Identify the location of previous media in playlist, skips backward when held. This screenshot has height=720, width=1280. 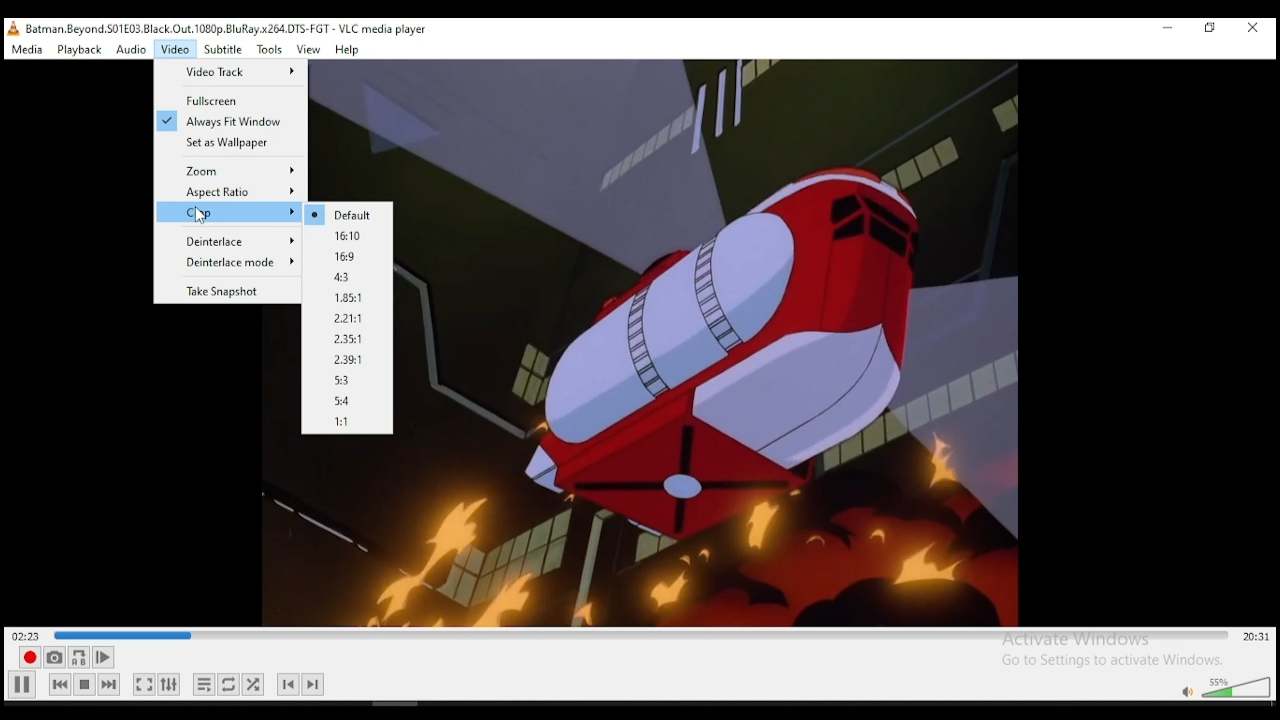
(60, 685).